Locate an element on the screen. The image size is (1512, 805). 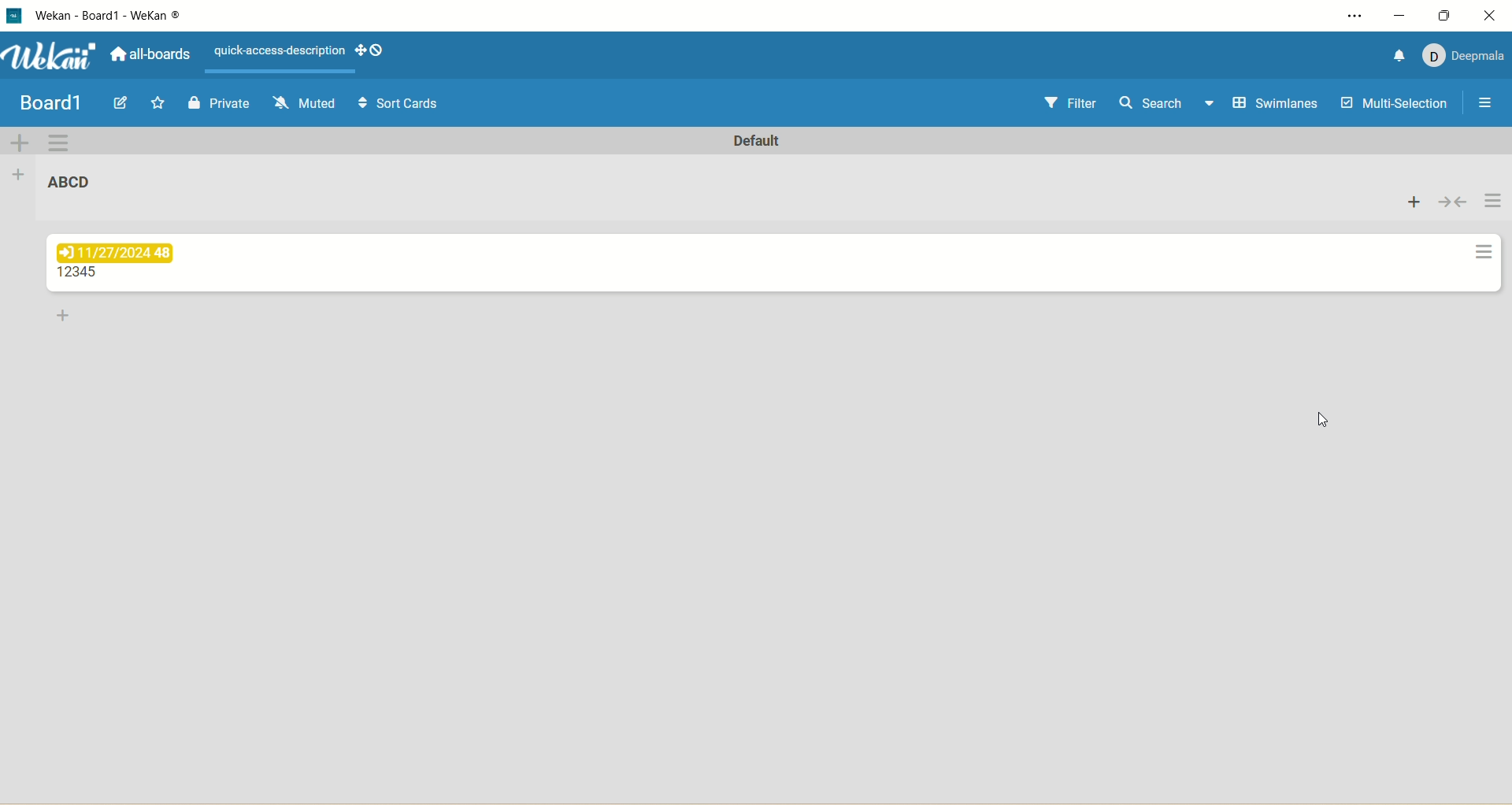
add is located at coordinates (1415, 201).